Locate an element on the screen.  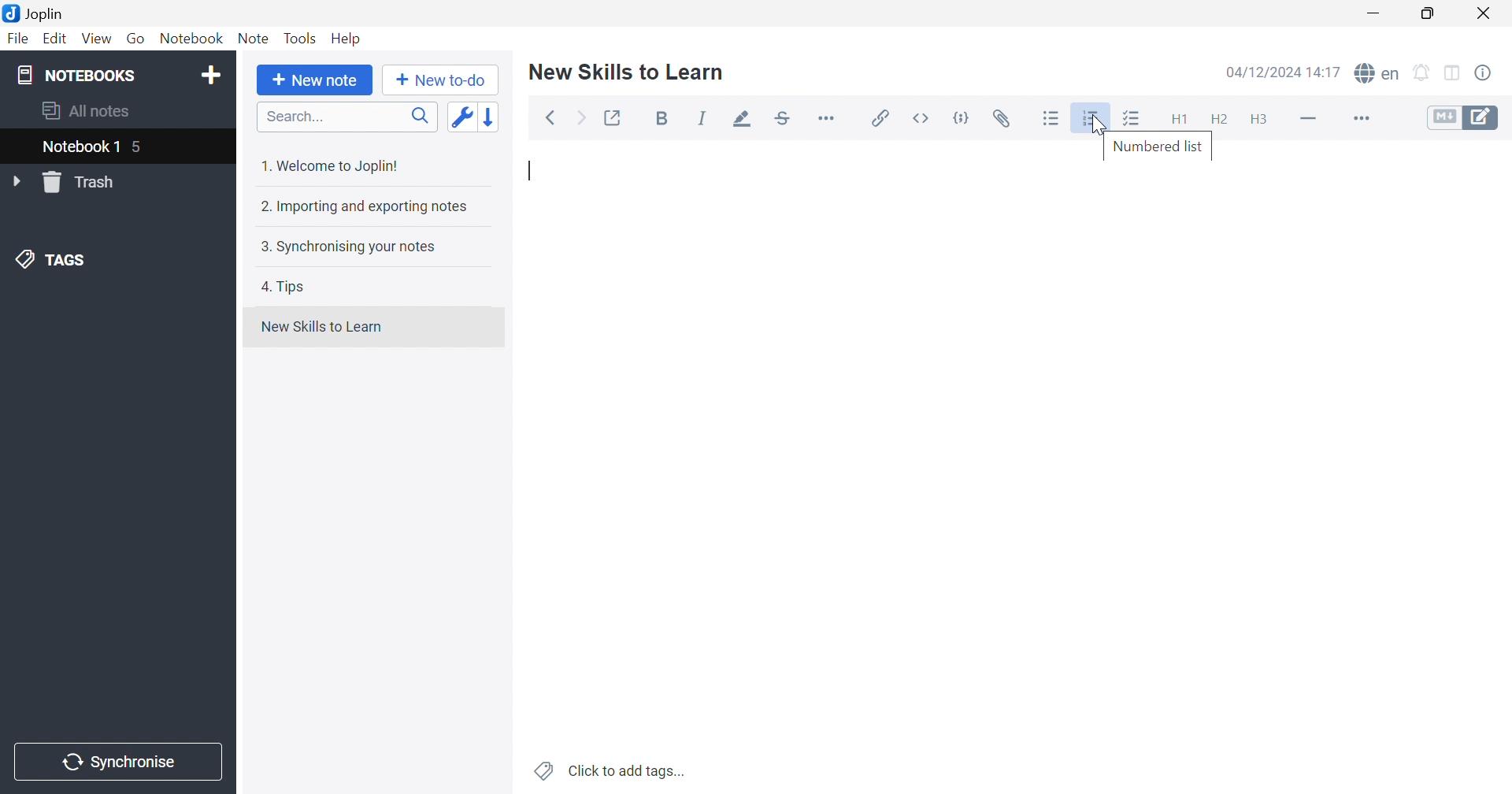
Note properties is located at coordinates (1483, 73).